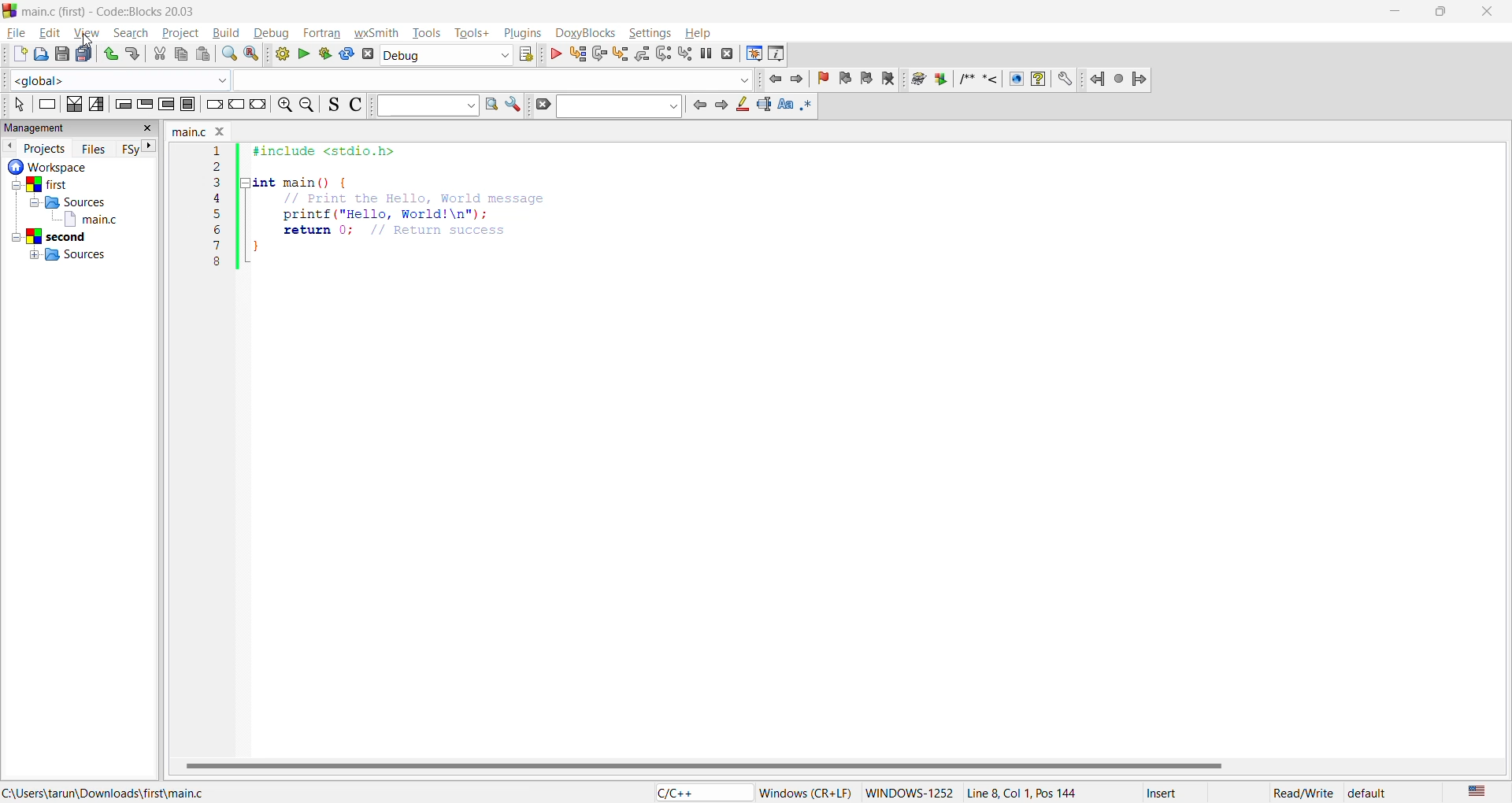 This screenshot has width=1512, height=803. Describe the element at coordinates (187, 104) in the screenshot. I see `block instruction` at that location.